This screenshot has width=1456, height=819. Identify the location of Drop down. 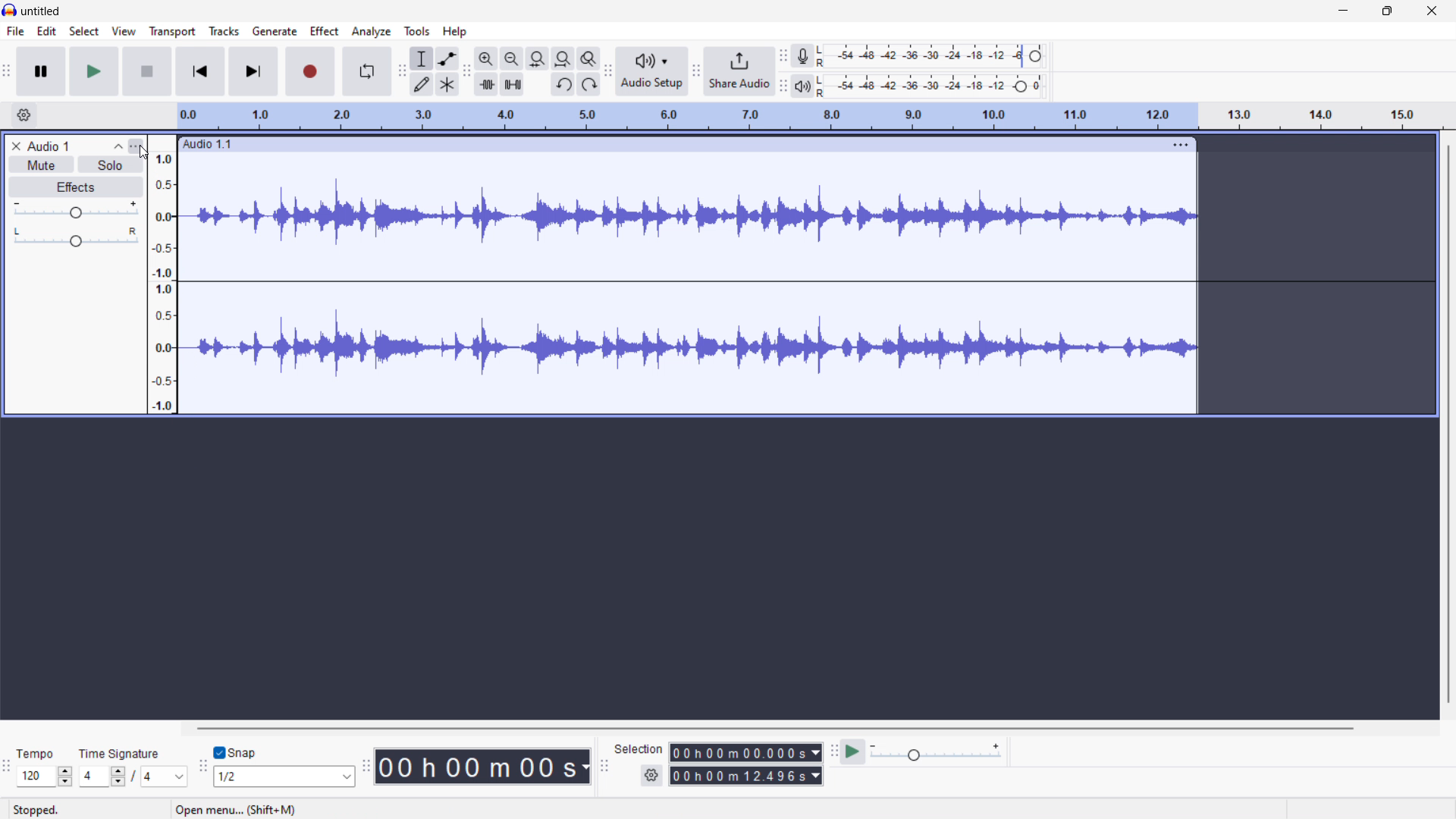
(179, 777).